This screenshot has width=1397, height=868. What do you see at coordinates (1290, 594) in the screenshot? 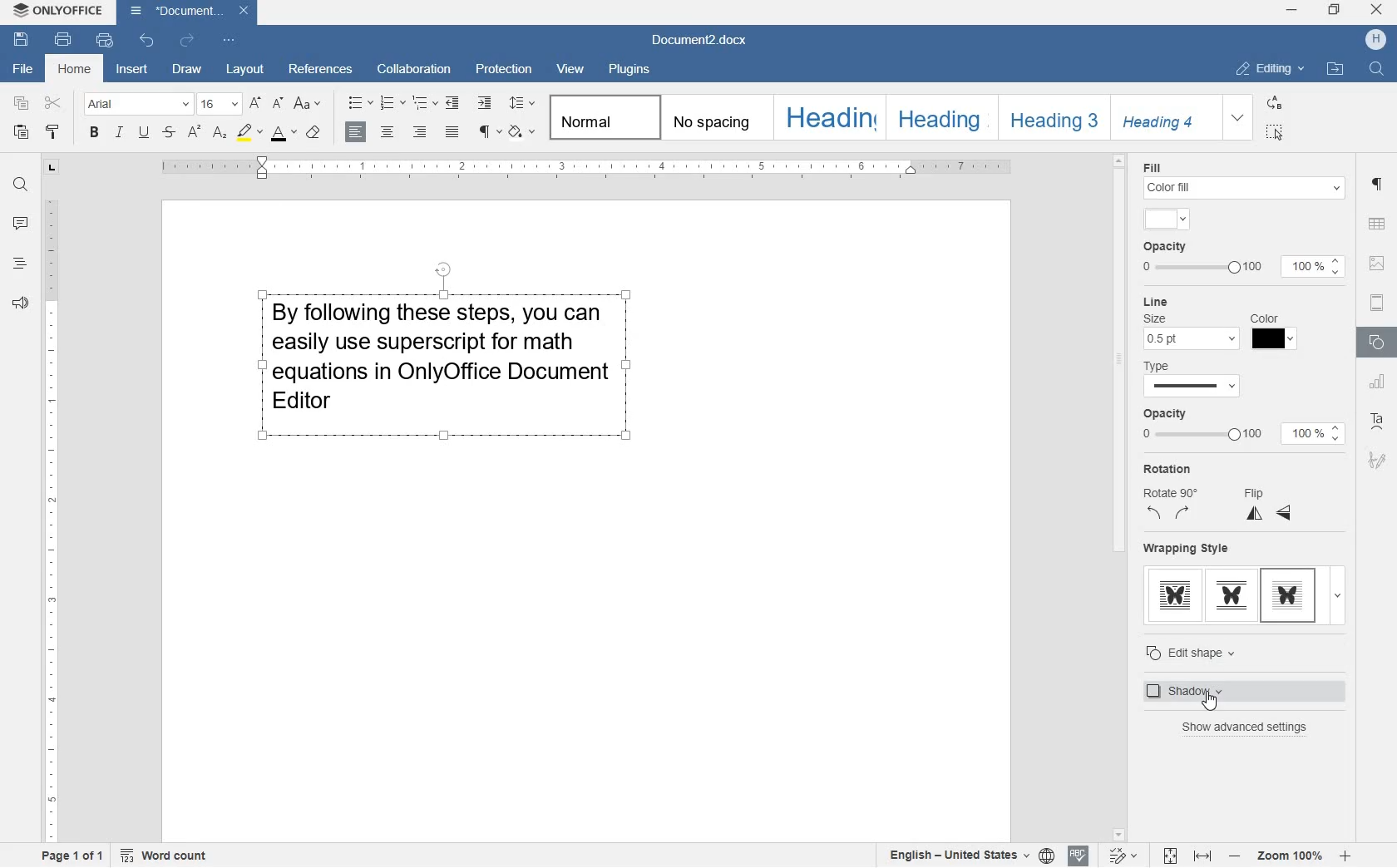
I see `in front of text` at bounding box center [1290, 594].